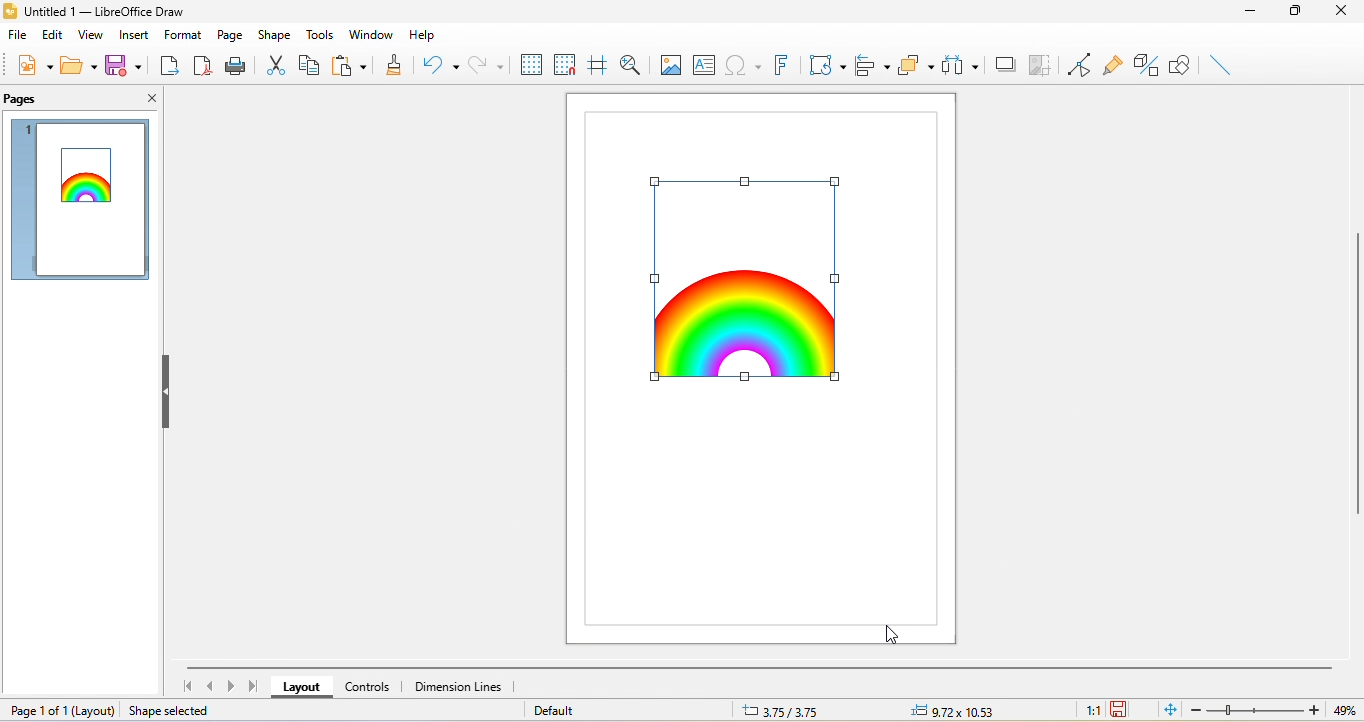 The image size is (1364, 722). Describe the element at coordinates (531, 65) in the screenshot. I see `display to grid` at that location.